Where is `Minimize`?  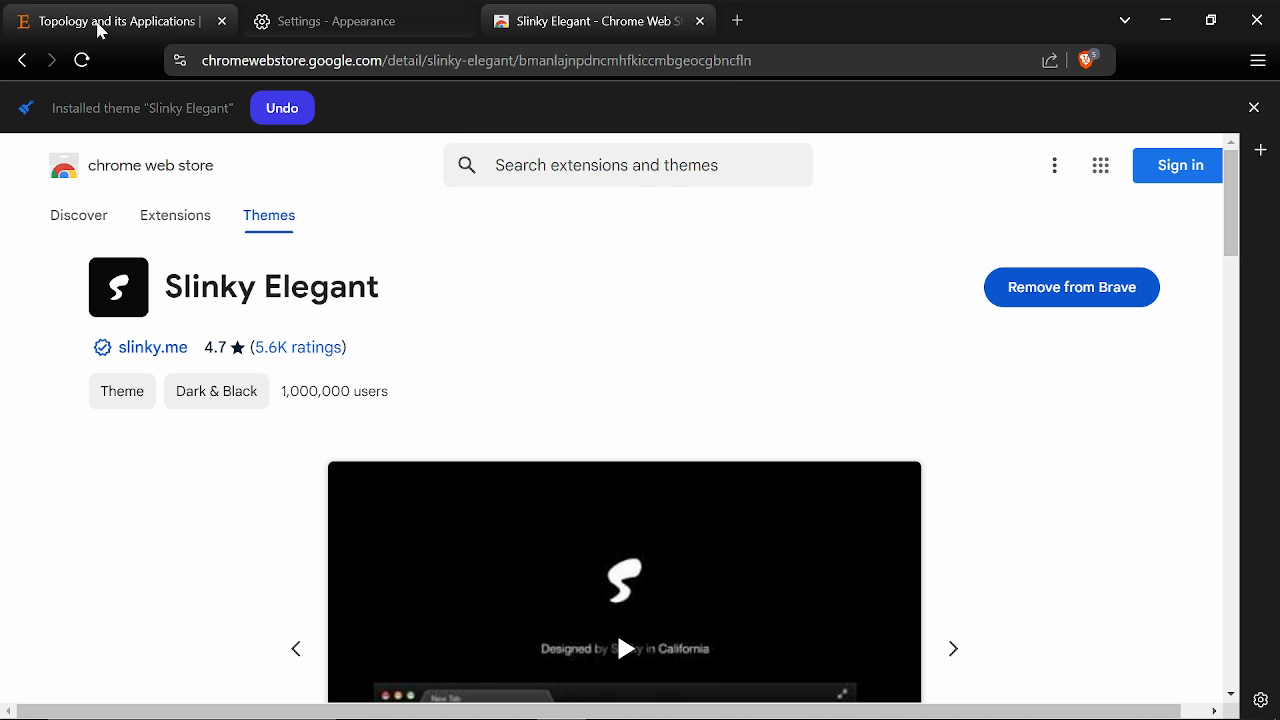
Minimize is located at coordinates (1166, 22).